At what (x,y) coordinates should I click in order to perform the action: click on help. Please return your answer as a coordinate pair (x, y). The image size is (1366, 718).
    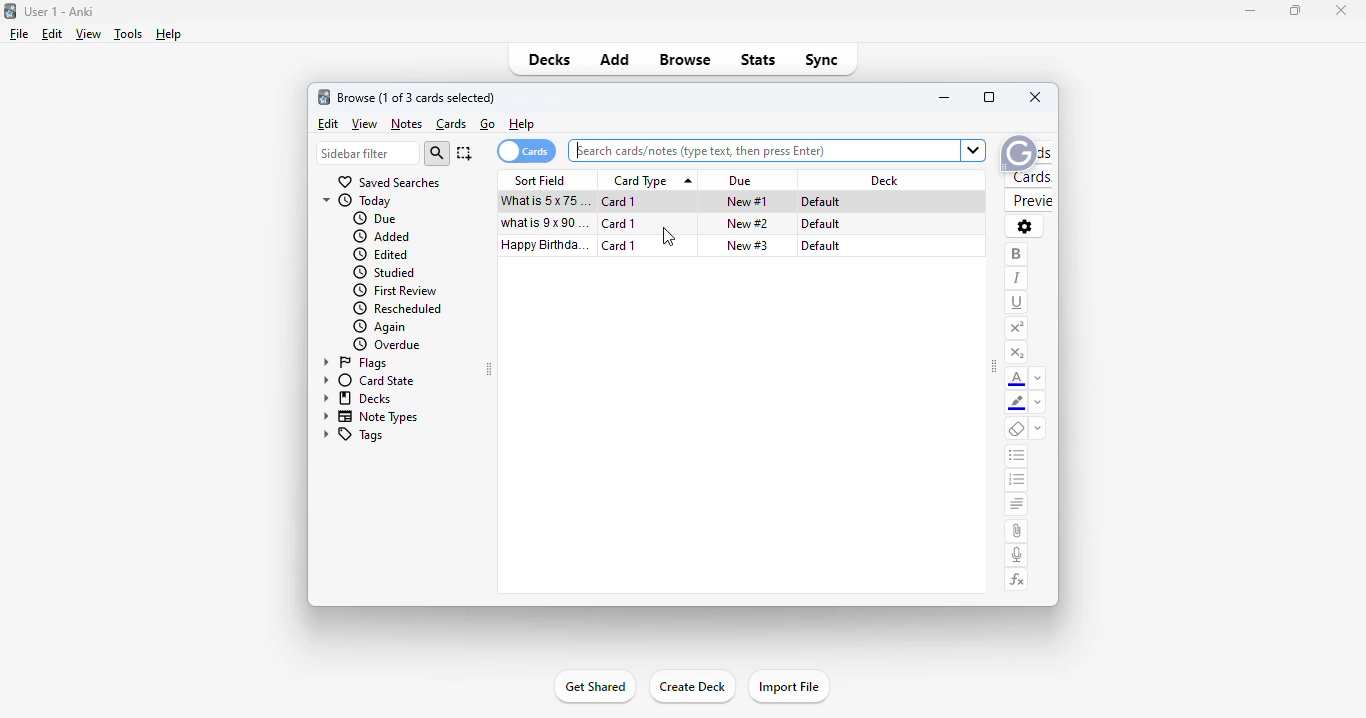
    Looking at the image, I should click on (522, 125).